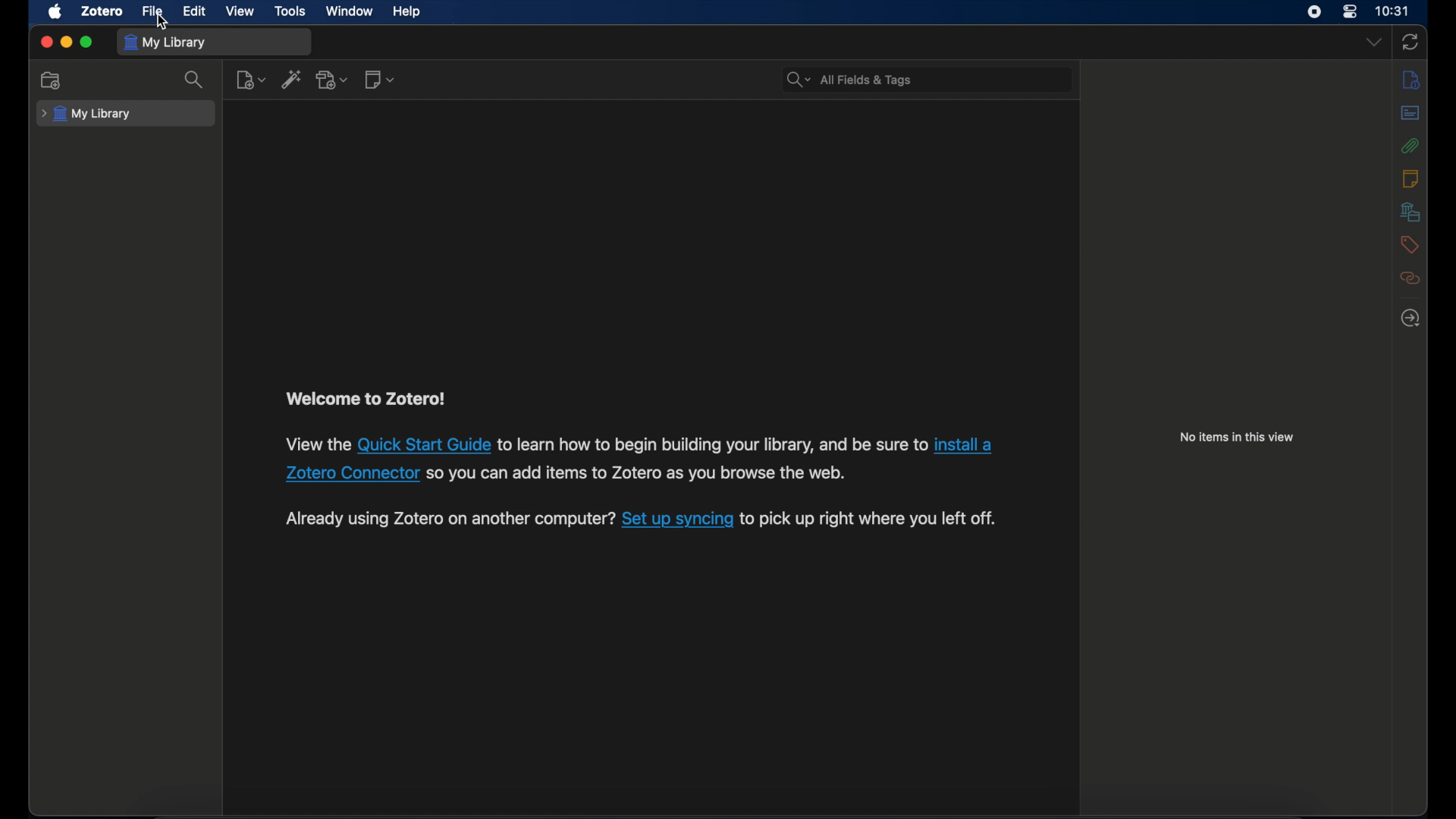  I want to click on cursor, so click(160, 21).